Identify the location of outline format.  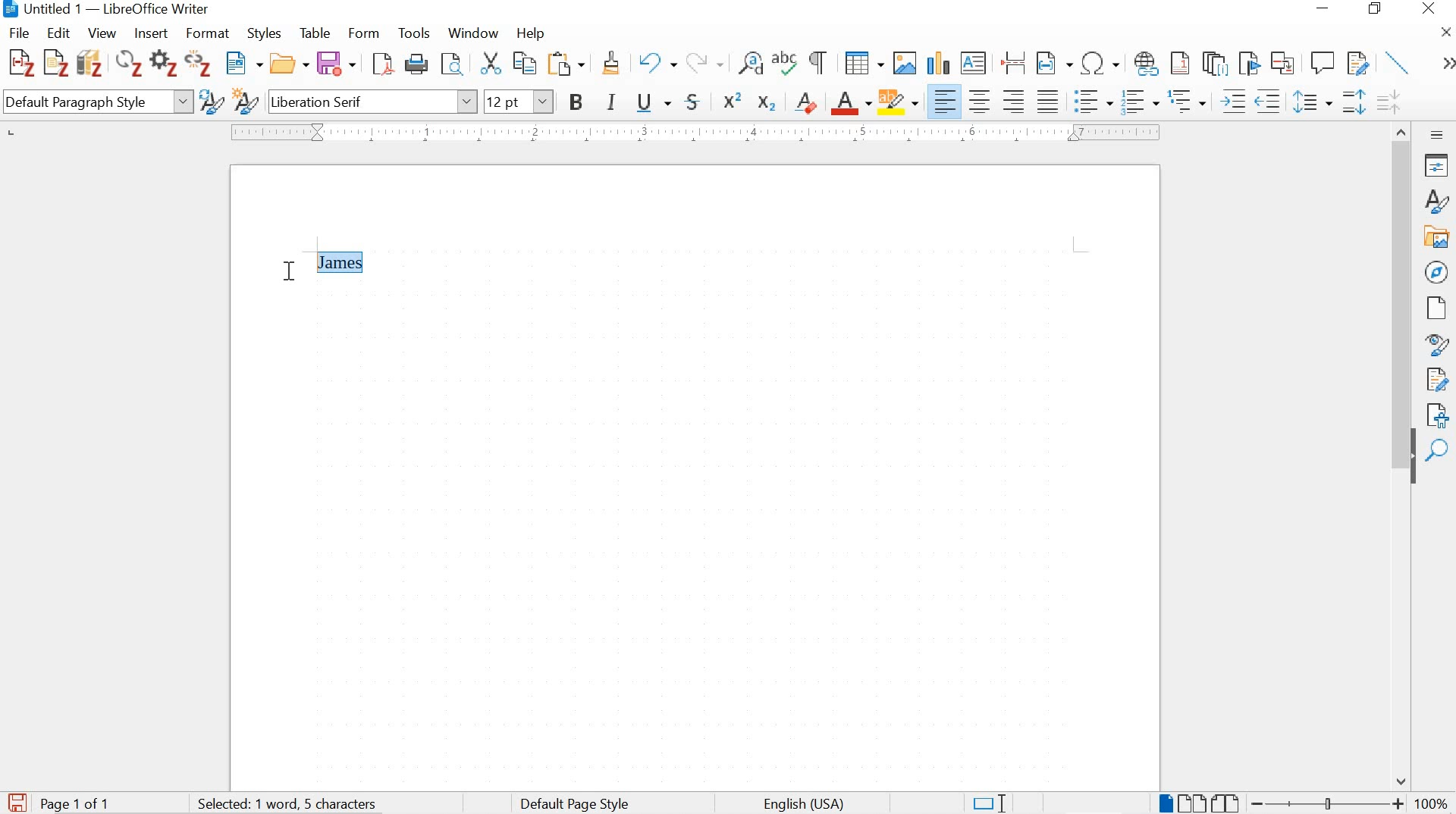
(1188, 102).